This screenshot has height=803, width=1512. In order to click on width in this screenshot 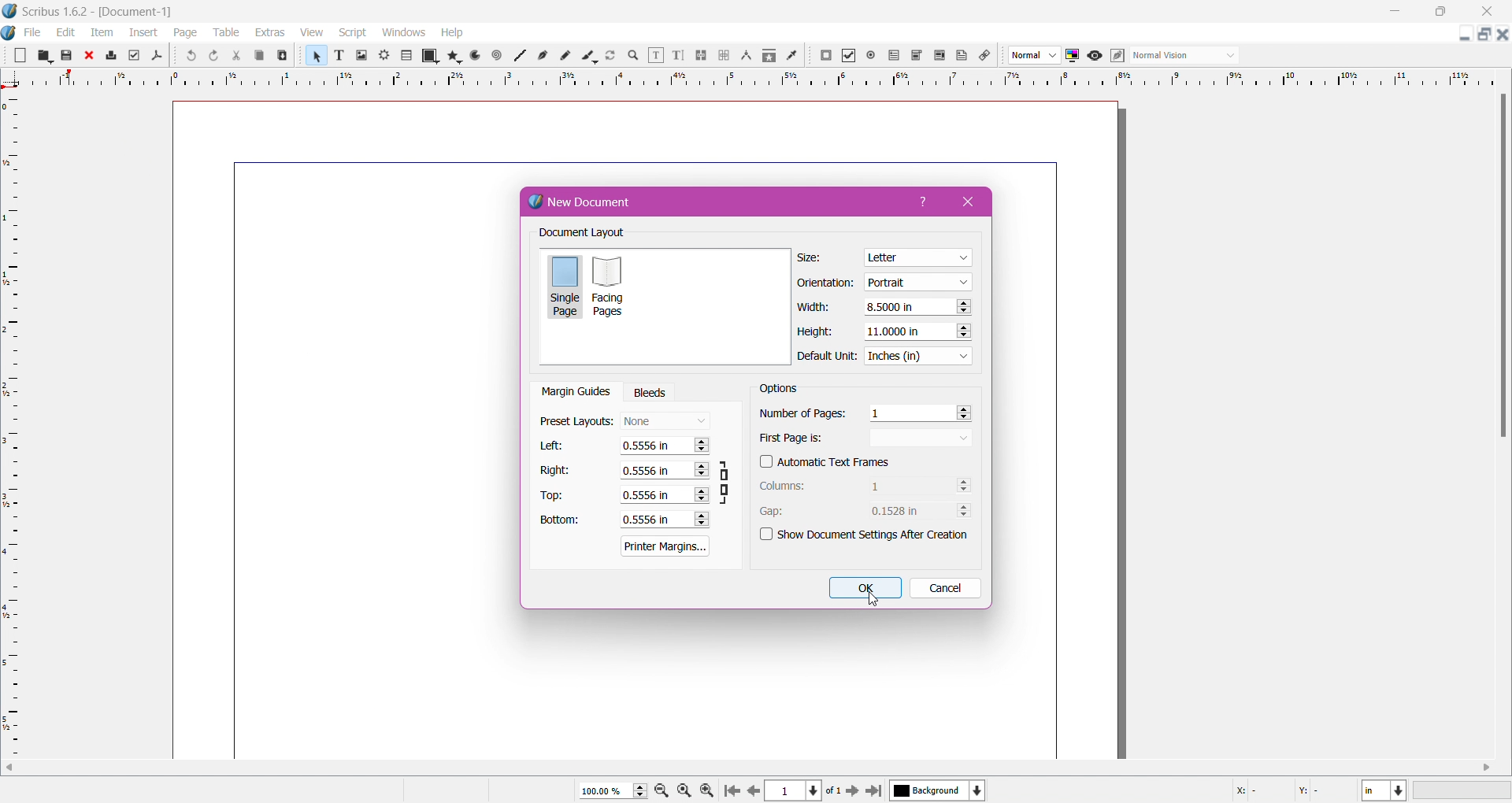, I will do `click(815, 305)`.